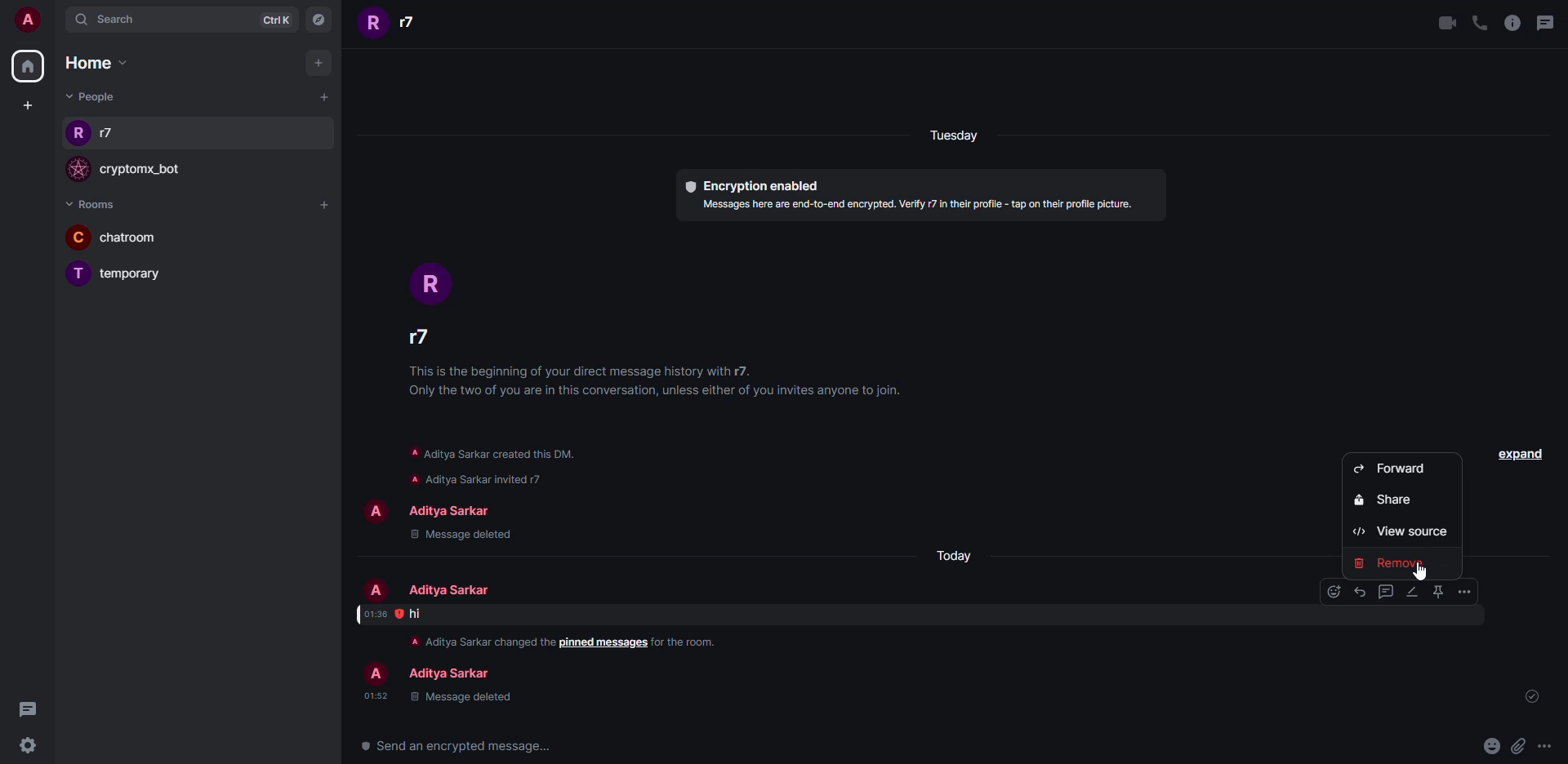 Image resolution: width=1568 pixels, height=764 pixels. What do you see at coordinates (1548, 22) in the screenshot?
I see `threads` at bounding box center [1548, 22].